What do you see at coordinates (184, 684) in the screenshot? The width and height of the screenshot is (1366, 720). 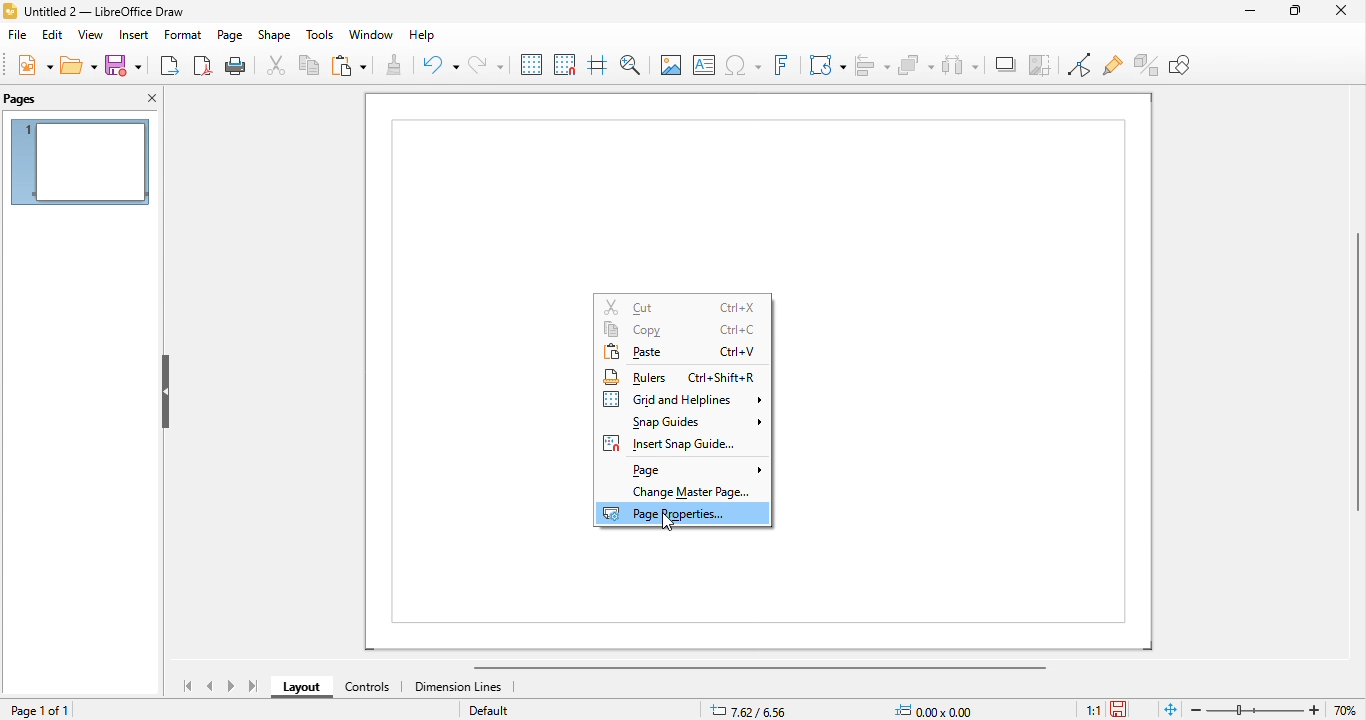 I see `first page` at bounding box center [184, 684].